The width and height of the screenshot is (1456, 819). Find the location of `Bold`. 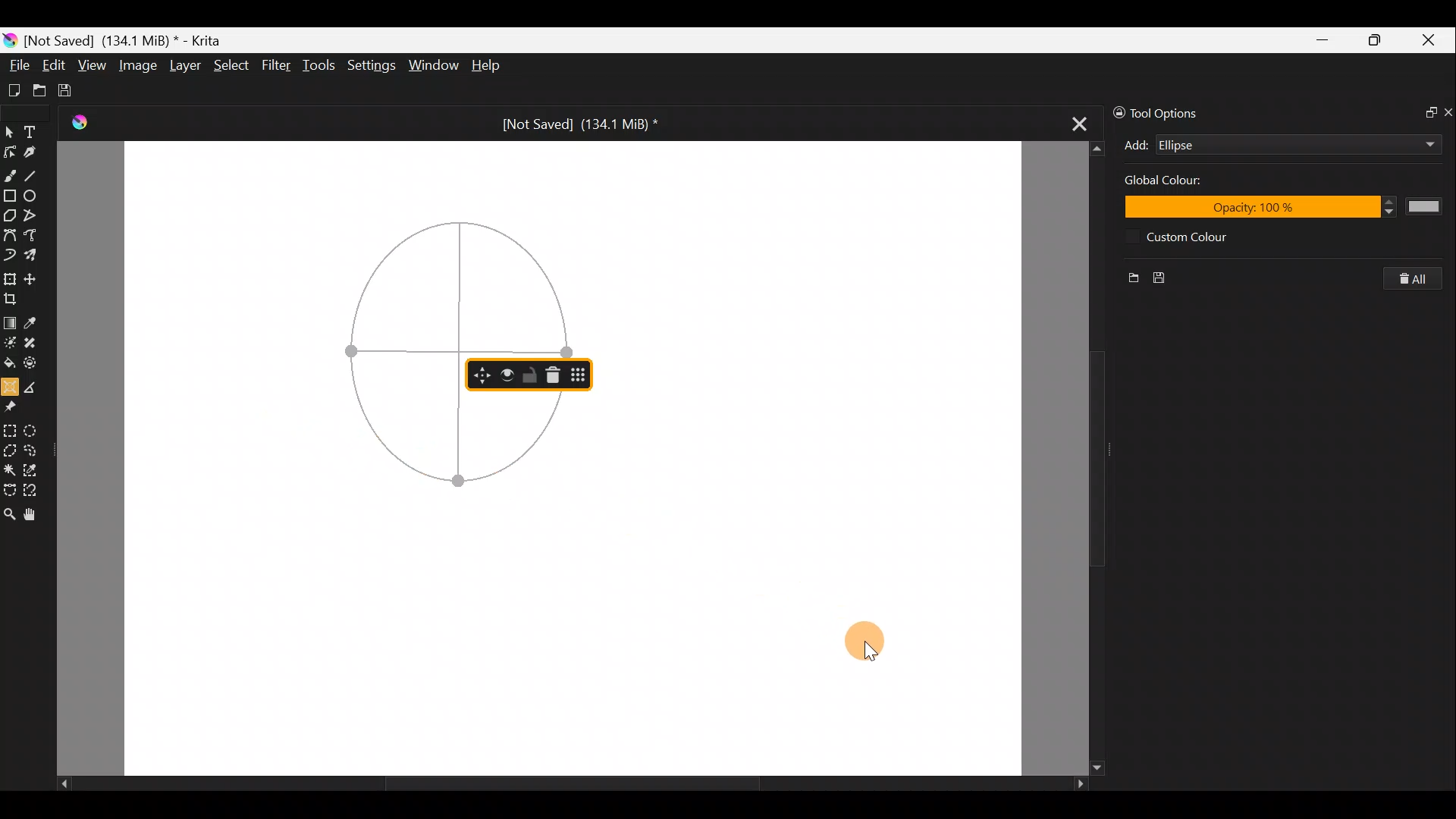

Bold is located at coordinates (504, 372).